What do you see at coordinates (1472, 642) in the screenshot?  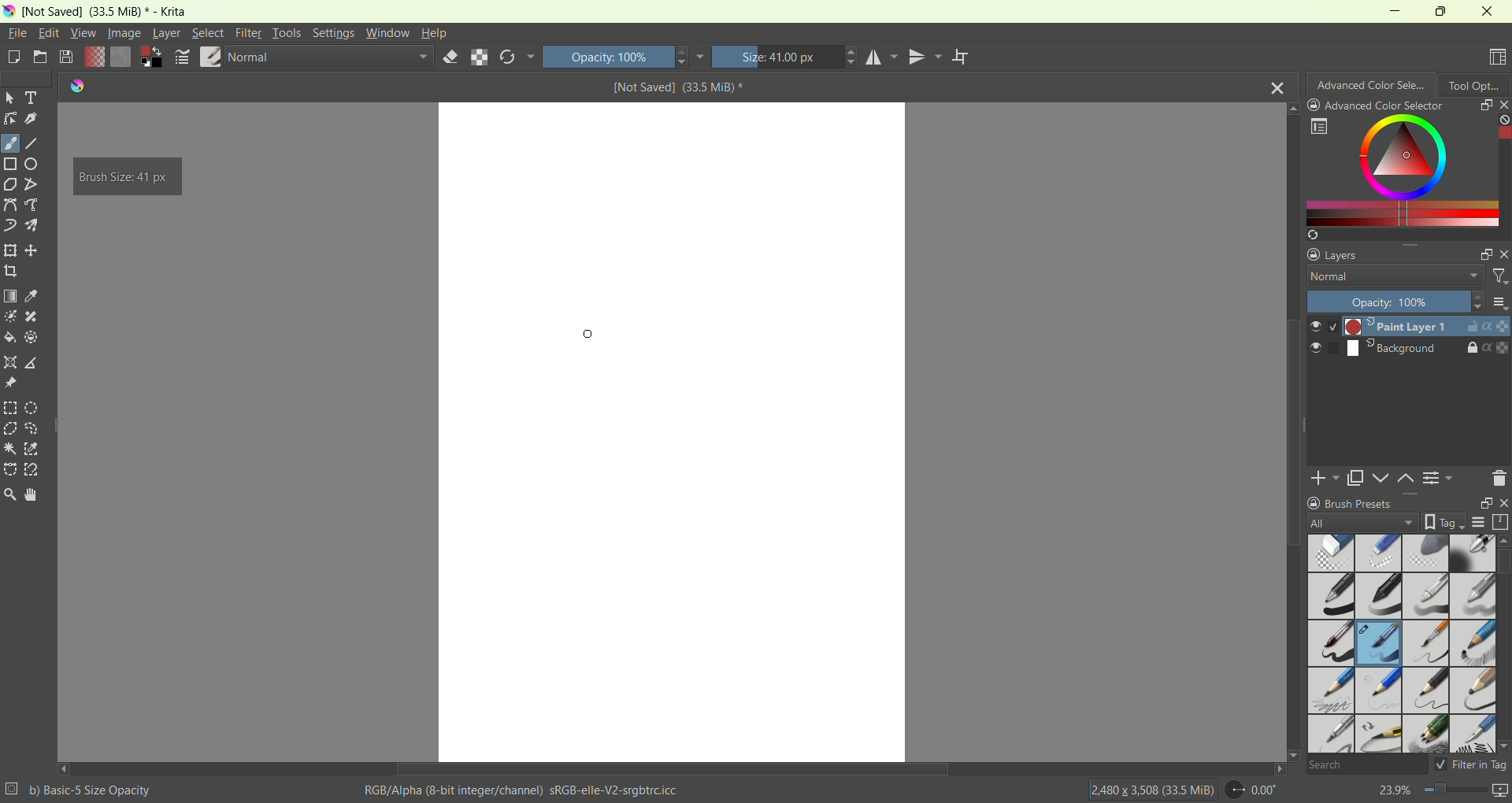 I see `pencil 1` at bounding box center [1472, 642].